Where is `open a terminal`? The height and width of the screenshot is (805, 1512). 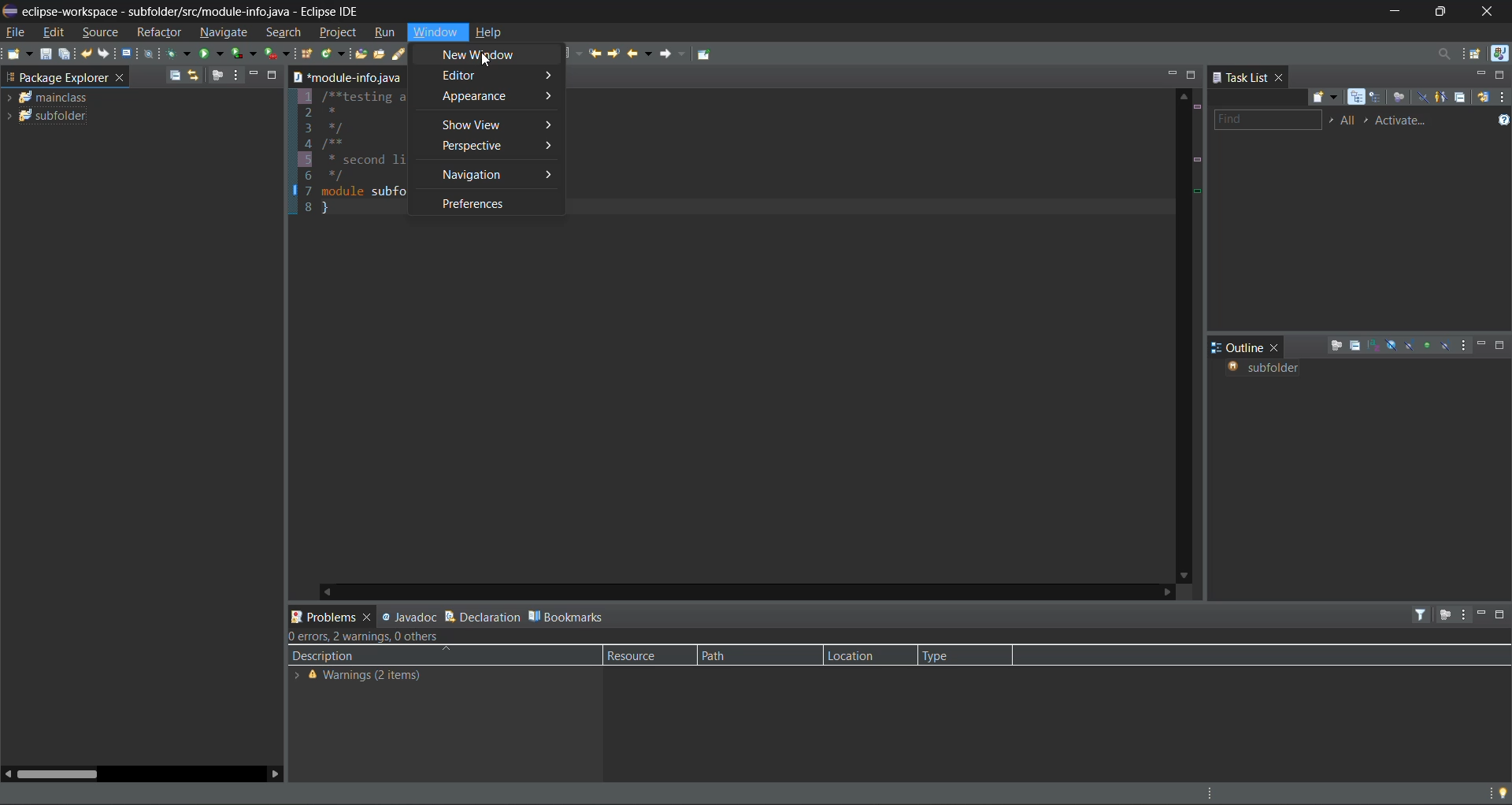
open a terminal is located at coordinates (124, 52).